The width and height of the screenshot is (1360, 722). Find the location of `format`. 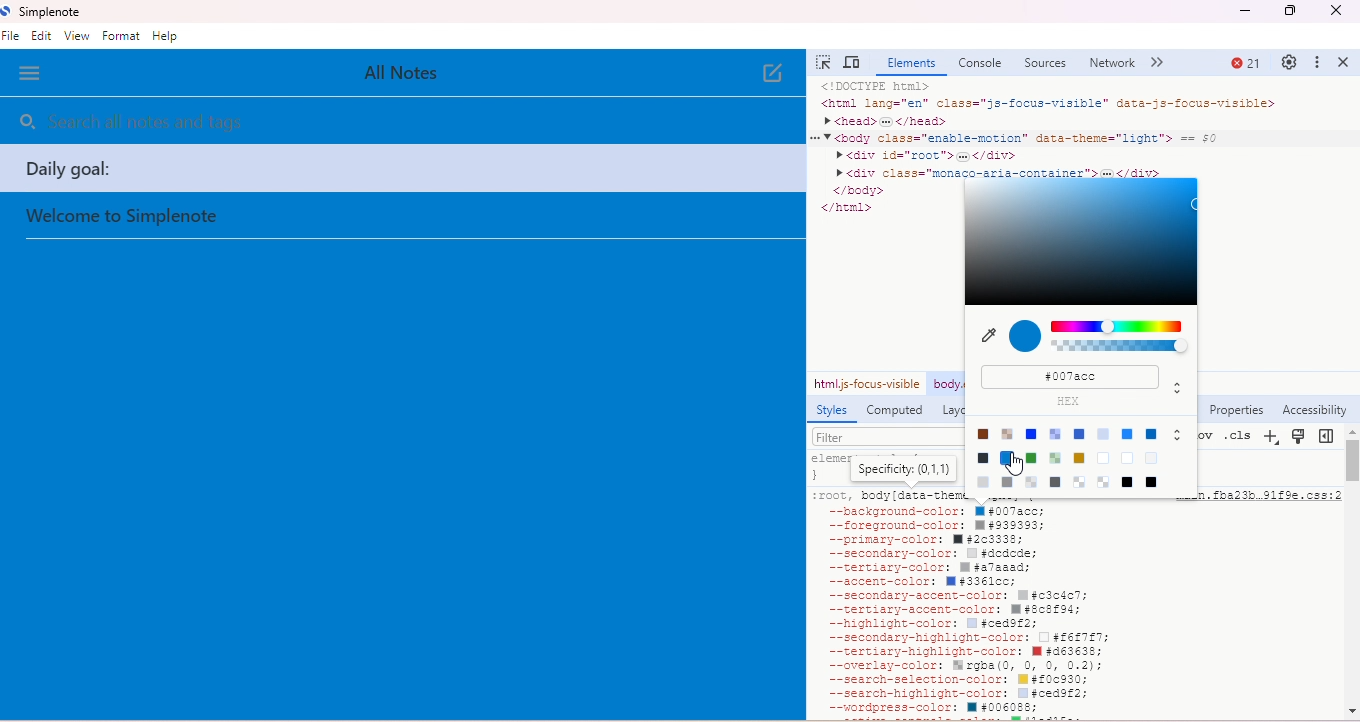

format is located at coordinates (121, 36).